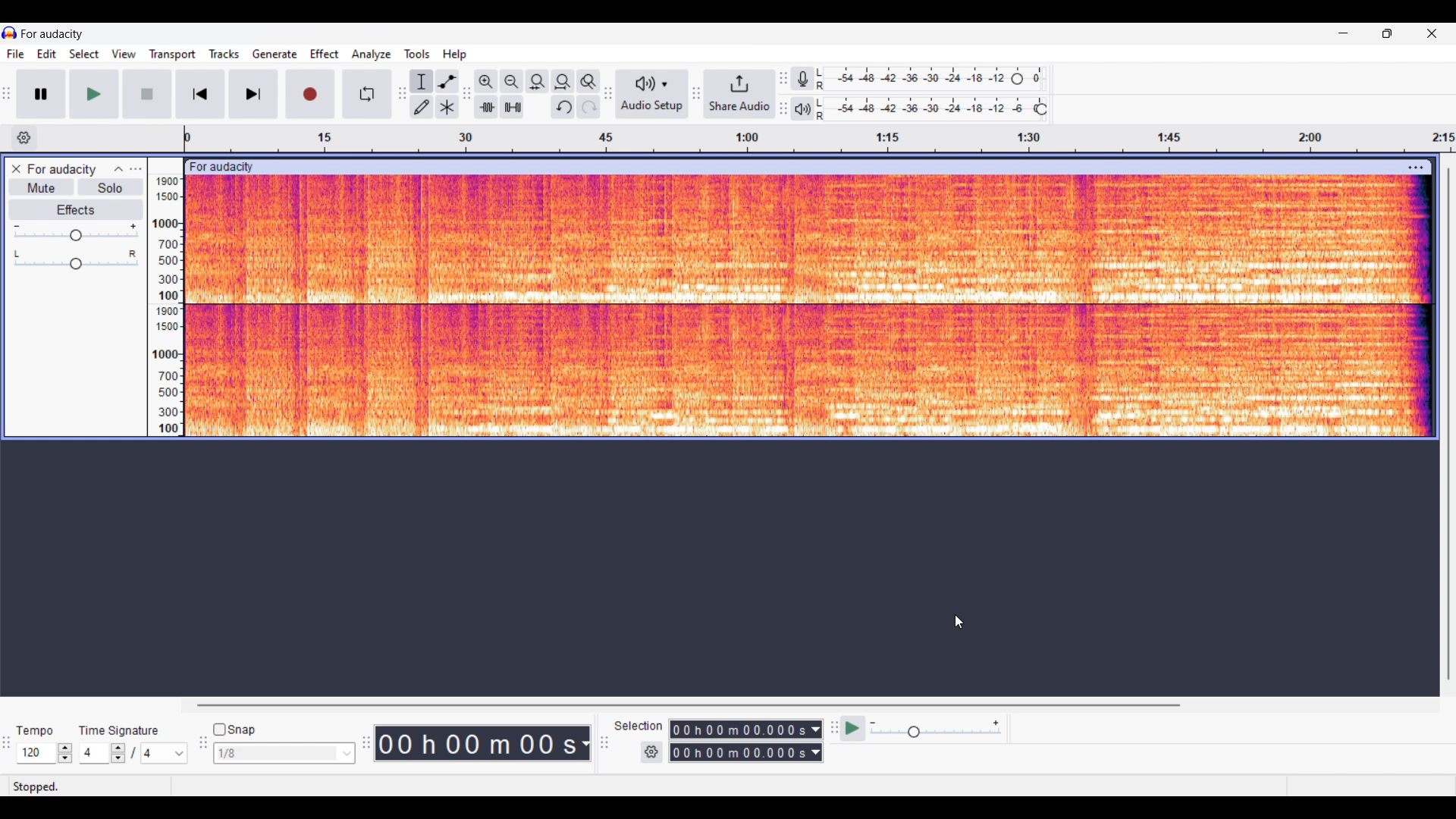 This screenshot has height=819, width=1456. I want to click on Scale to measure length of track, so click(816, 139).